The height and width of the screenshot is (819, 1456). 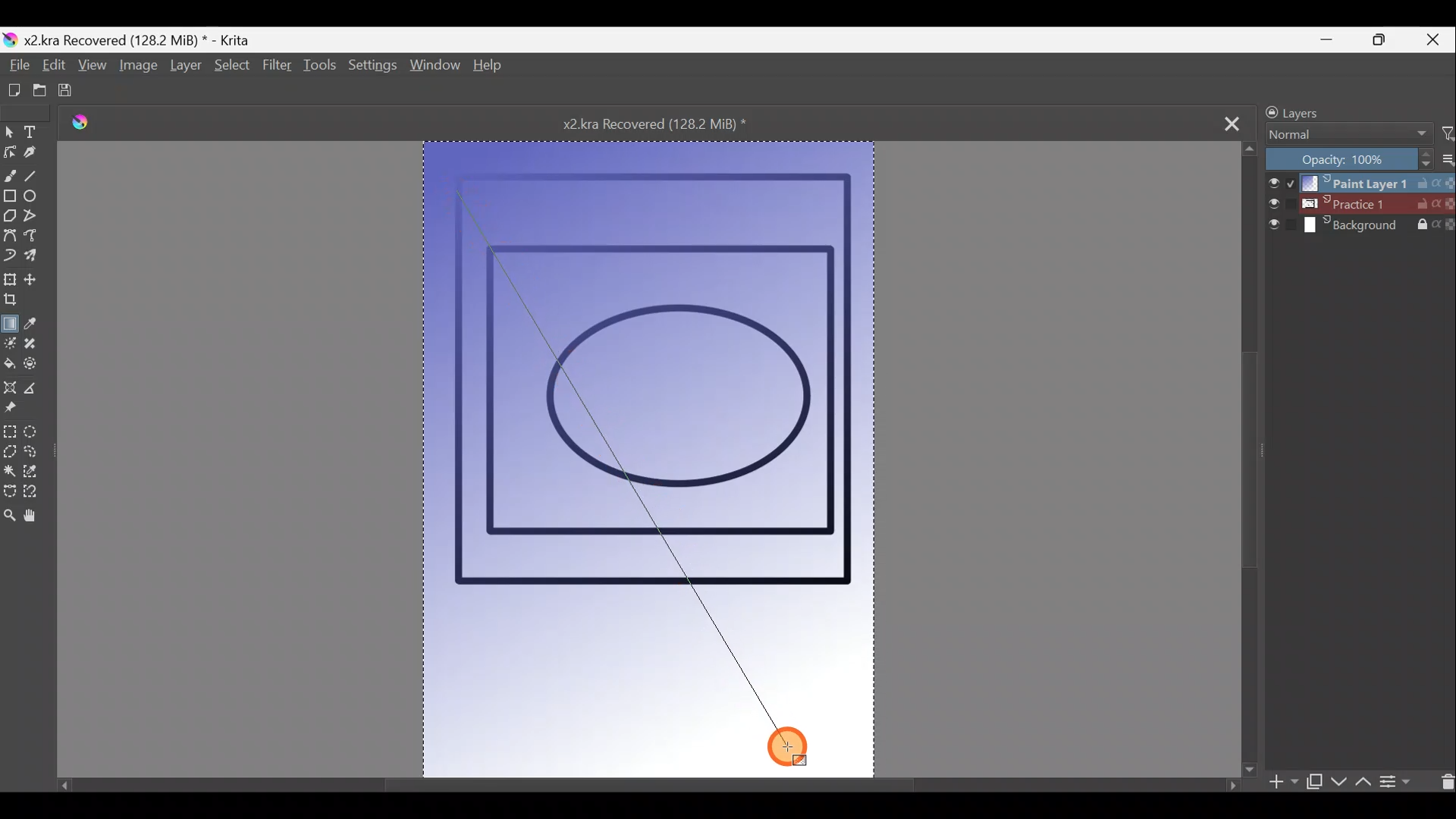 I want to click on Assistant tool, so click(x=10, y=390).